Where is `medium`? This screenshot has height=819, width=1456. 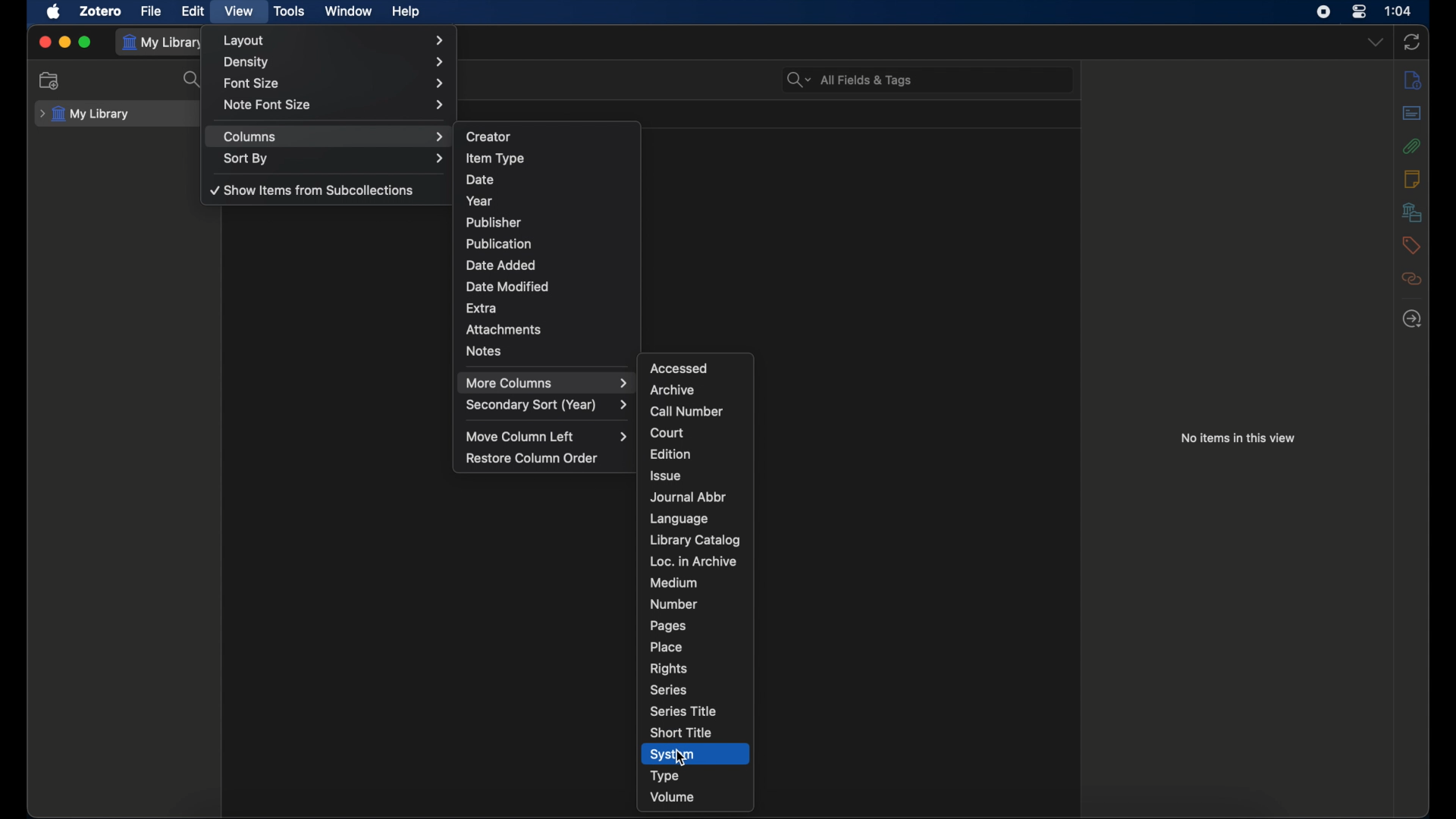
medium is located at coordinates (673, 583).